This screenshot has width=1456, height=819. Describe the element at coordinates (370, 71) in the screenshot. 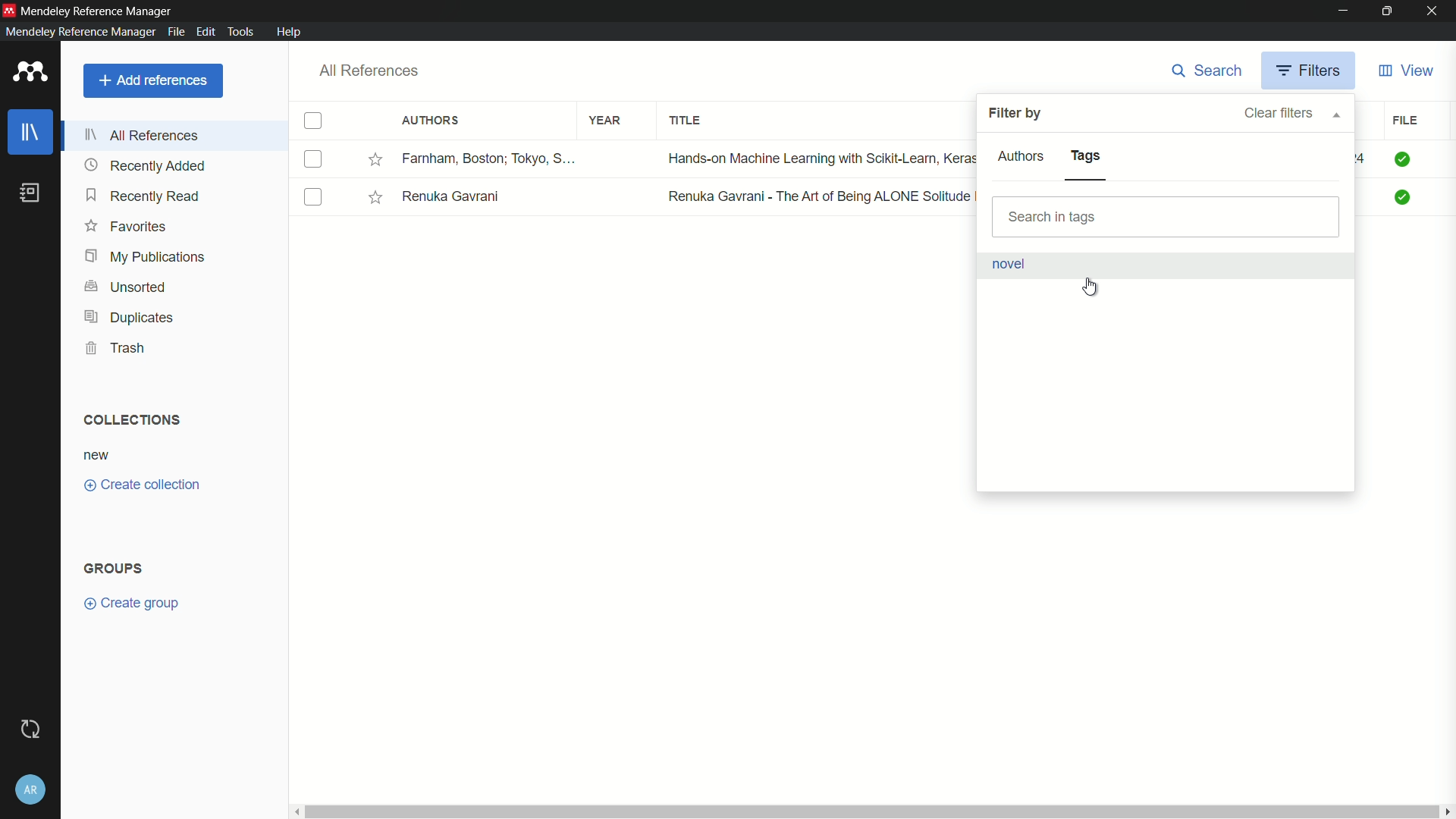

I see `all references` at that location.